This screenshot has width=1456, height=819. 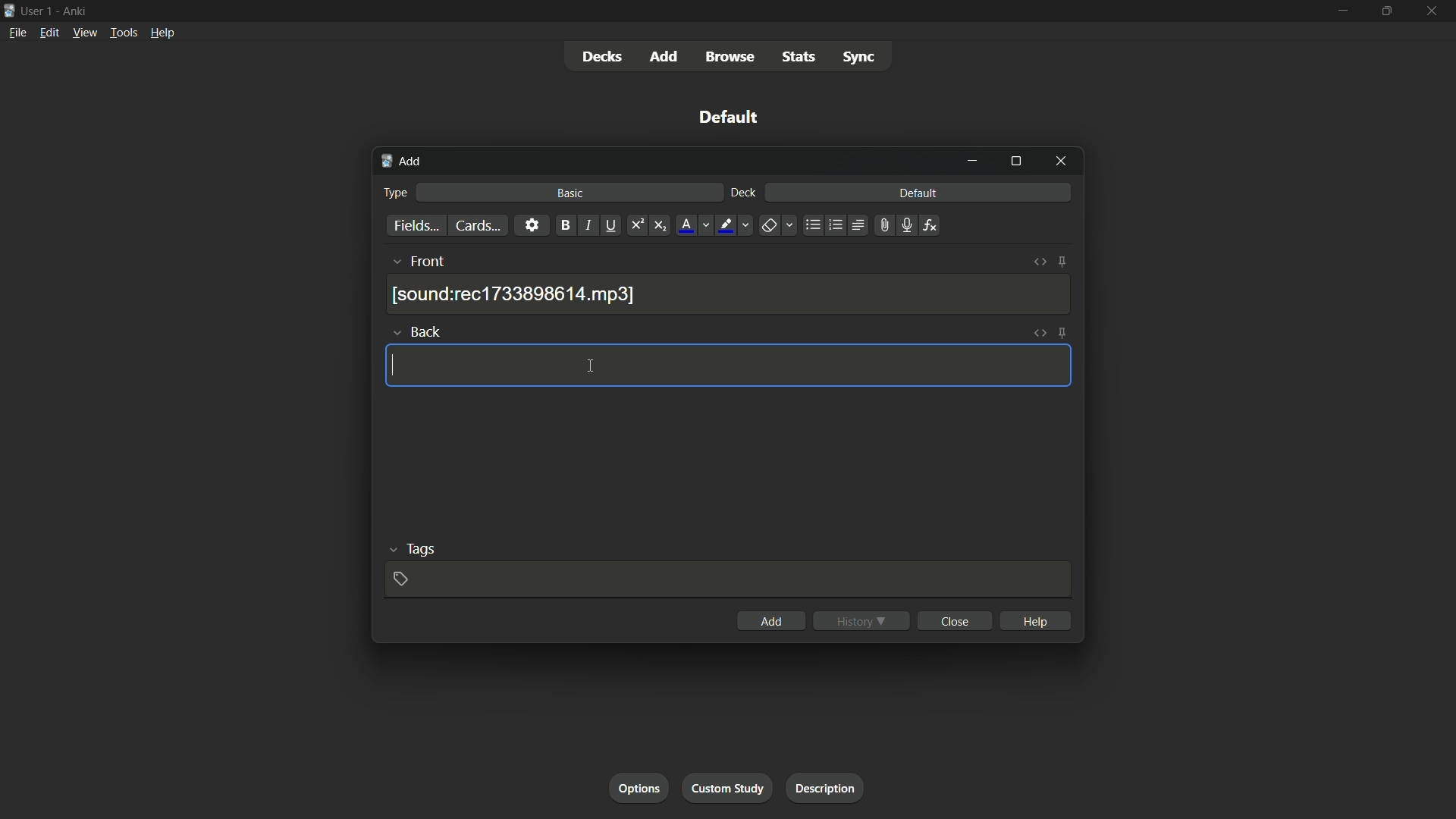 I want to click on front, so click(x=429, y=262).